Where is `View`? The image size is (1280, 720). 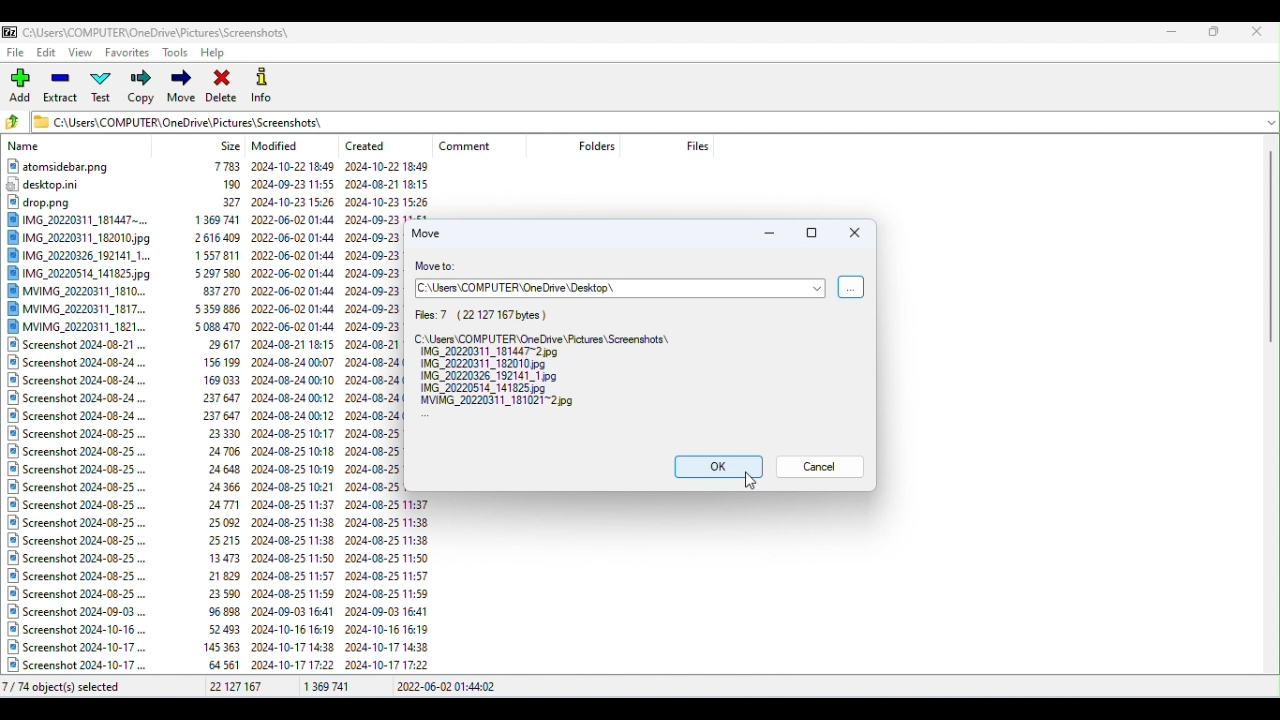
View is located at coordinates (83, 54).